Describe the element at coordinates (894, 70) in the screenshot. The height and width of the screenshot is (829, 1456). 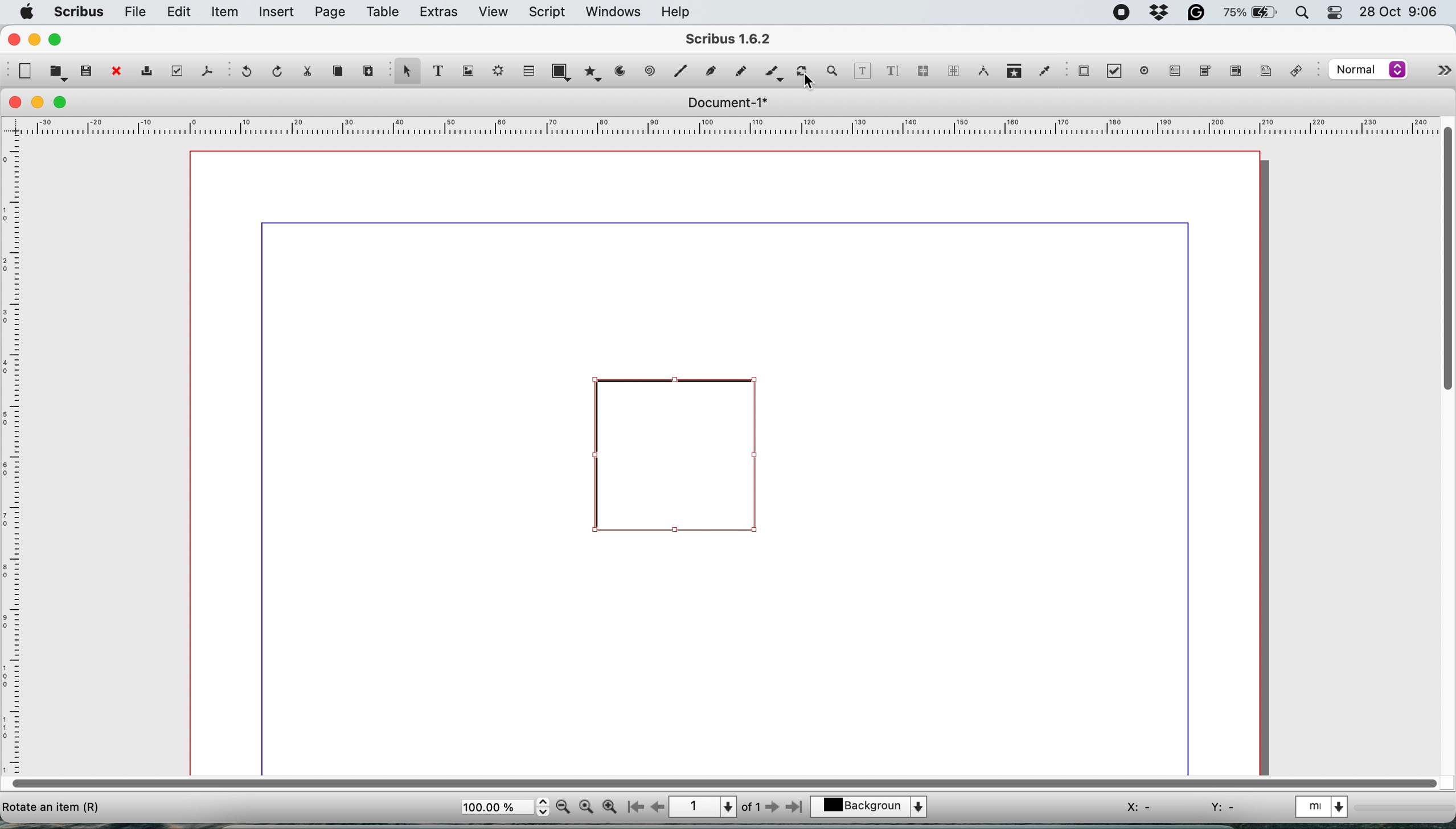
I see `edit text with story editor` at that location.